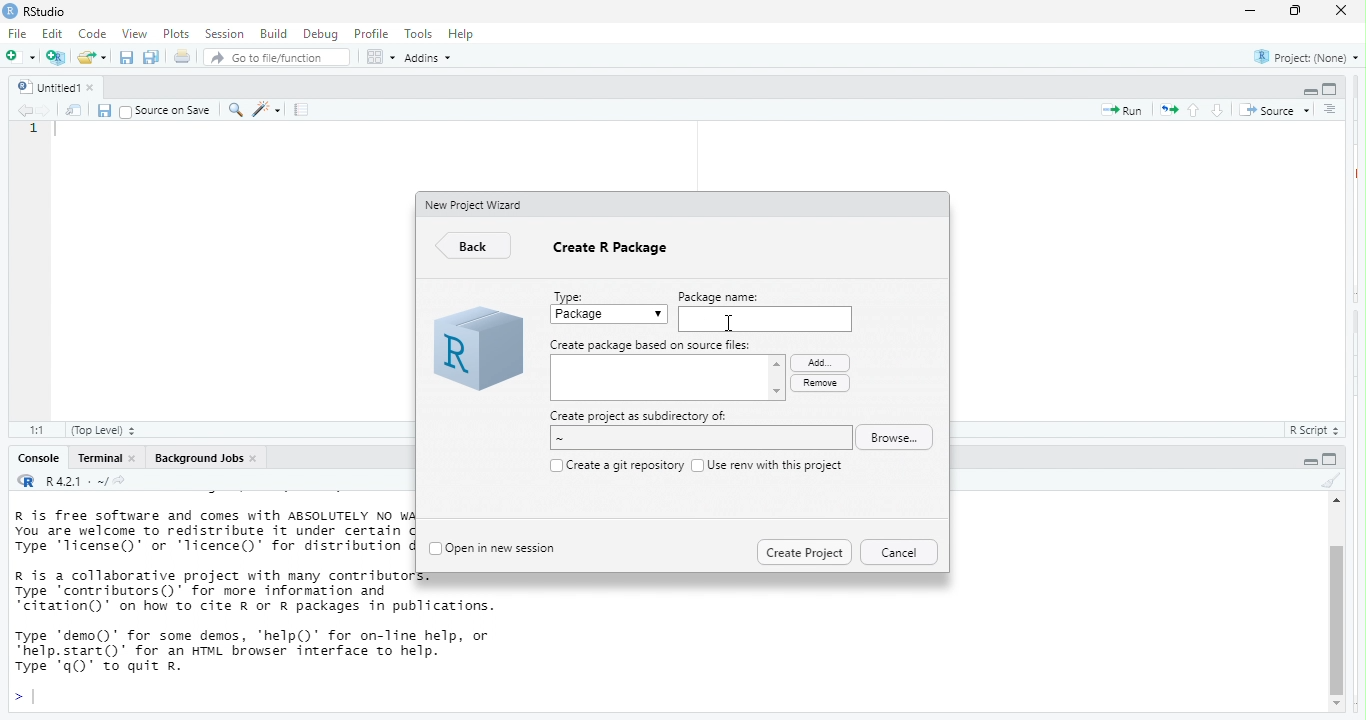  I want to click on Package name:, so click(731, 295).